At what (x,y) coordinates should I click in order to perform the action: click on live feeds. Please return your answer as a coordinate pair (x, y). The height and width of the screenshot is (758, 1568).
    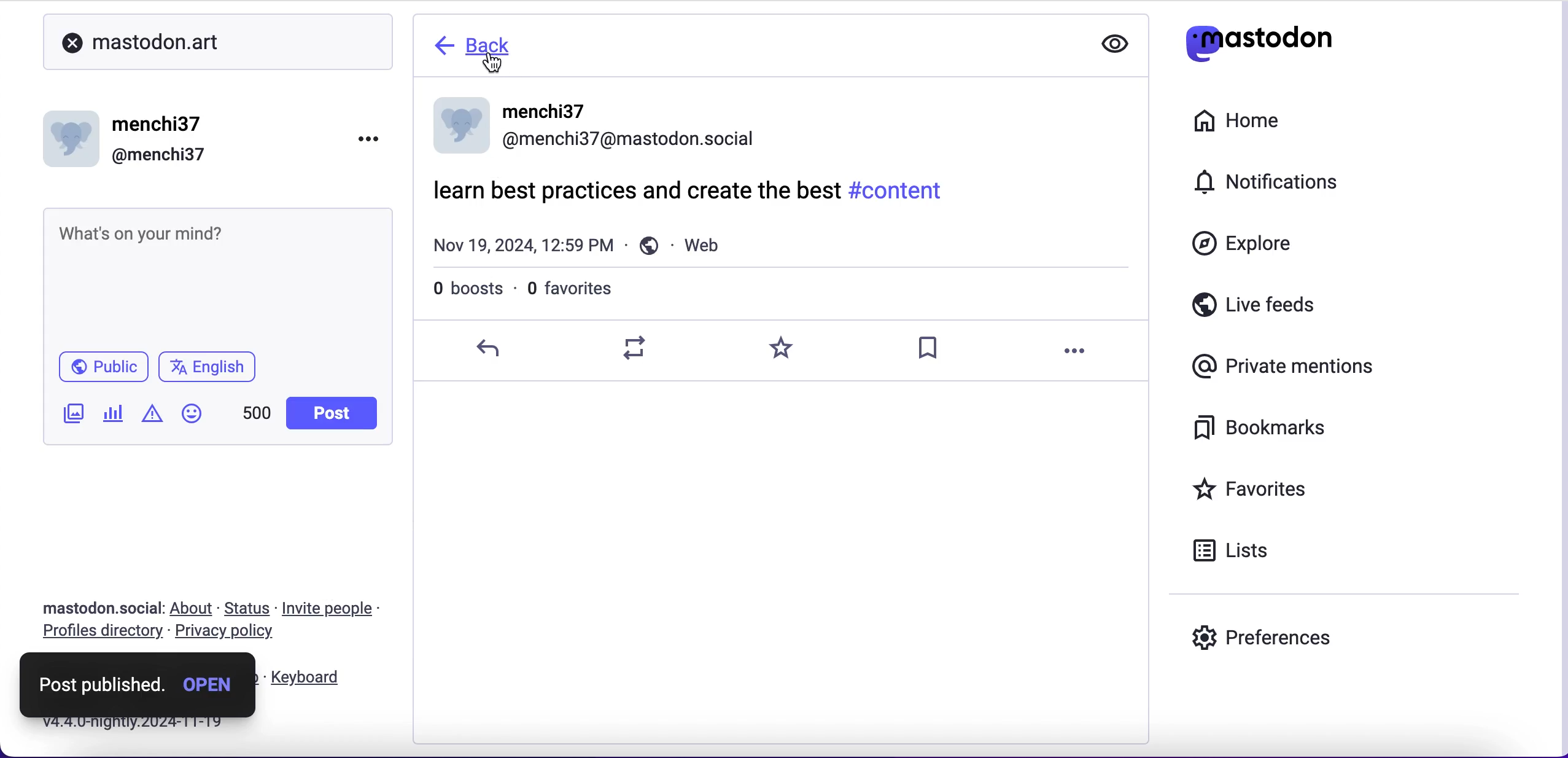
    Looking at the image, I should click on (1297, 305).